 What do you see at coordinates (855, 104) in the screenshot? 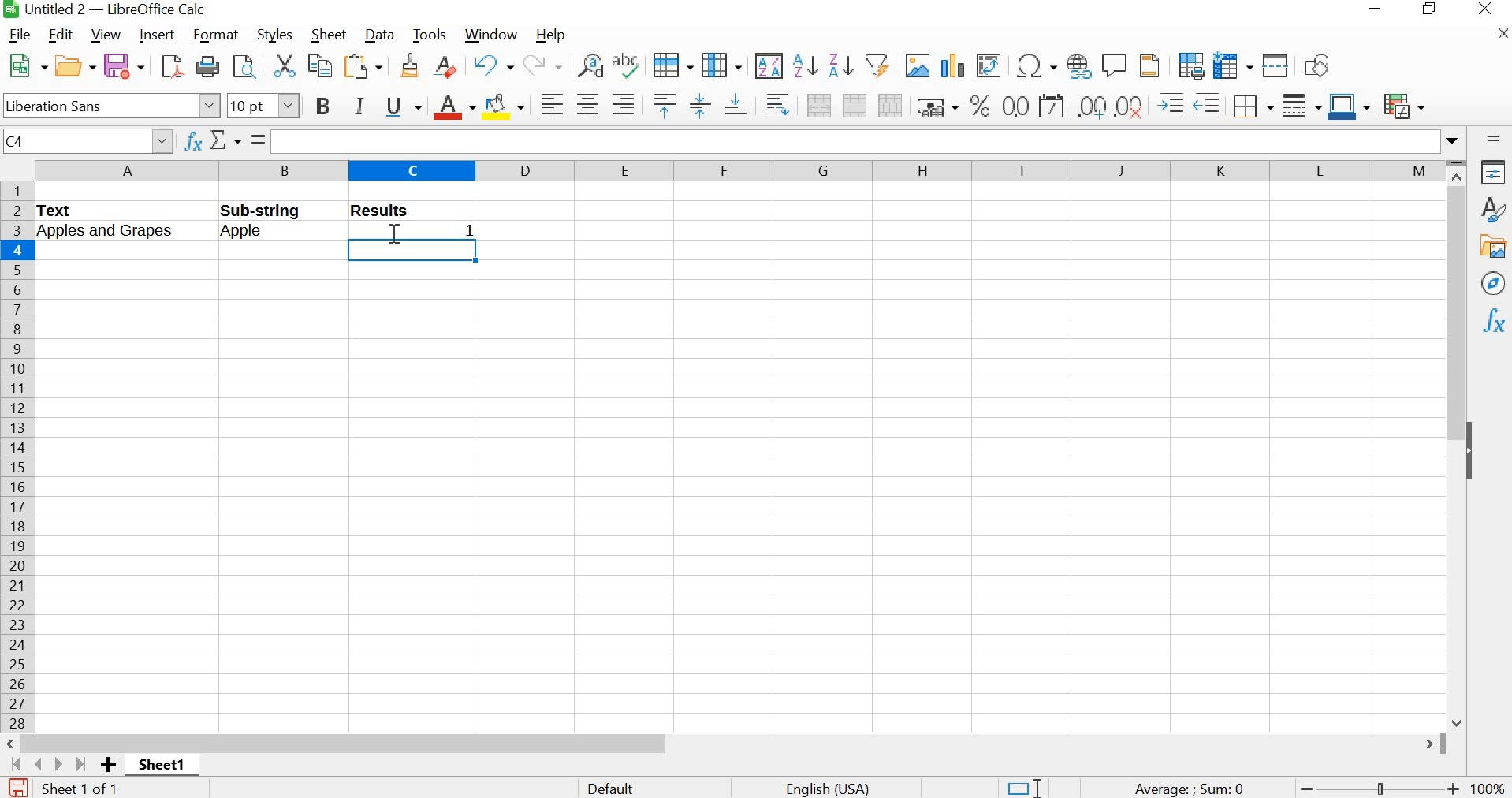
I see `merge cells` at bounding box center [855, 104].